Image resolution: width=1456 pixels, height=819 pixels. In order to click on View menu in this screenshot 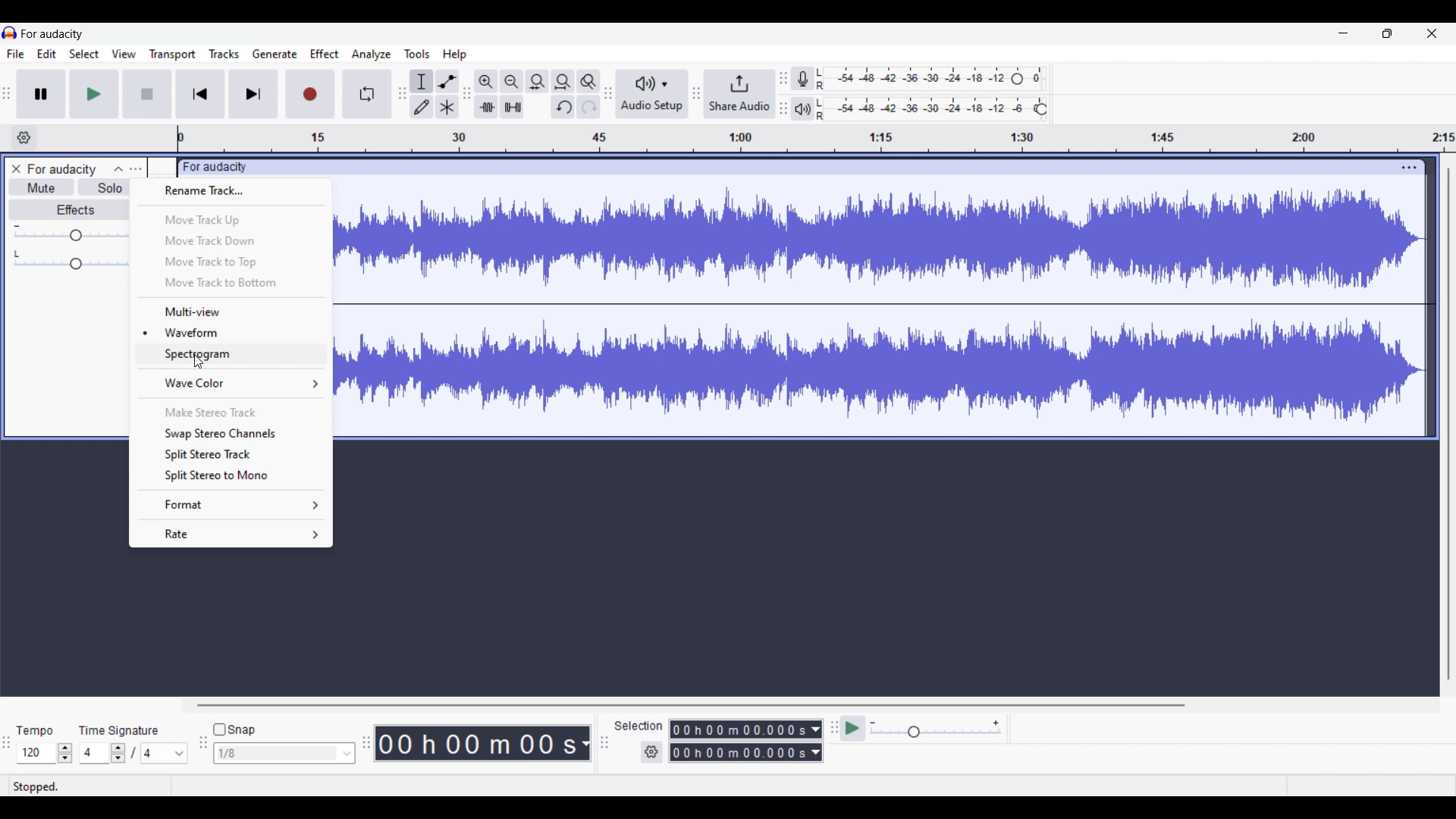, I will do `click(124, 54)`.